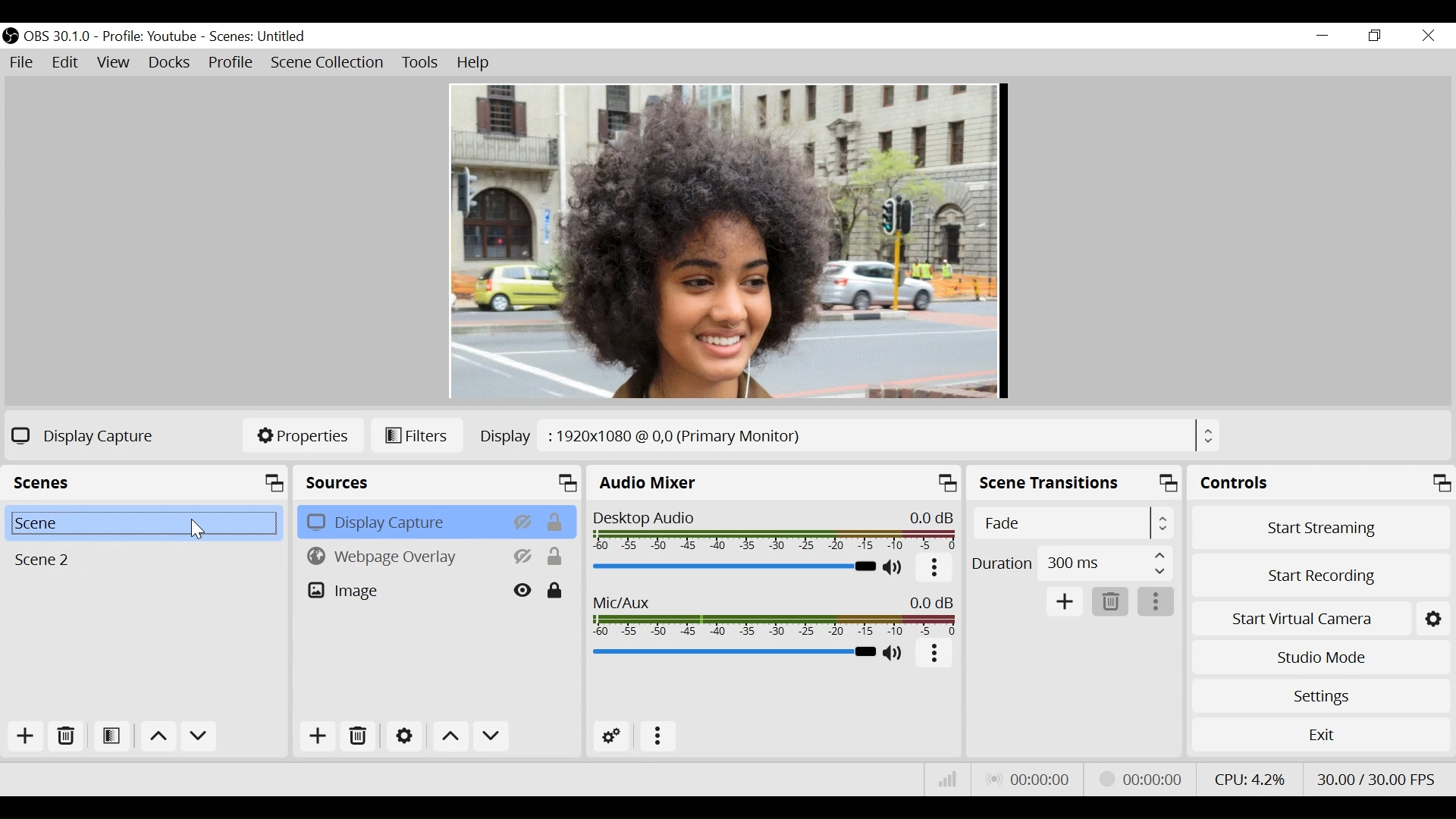 The width and height of the screenshot is (1456, 819). What do you see at coordinates (556, 557) in the screenshot?
I see `(un)lock` at bounding box center [556, 557].